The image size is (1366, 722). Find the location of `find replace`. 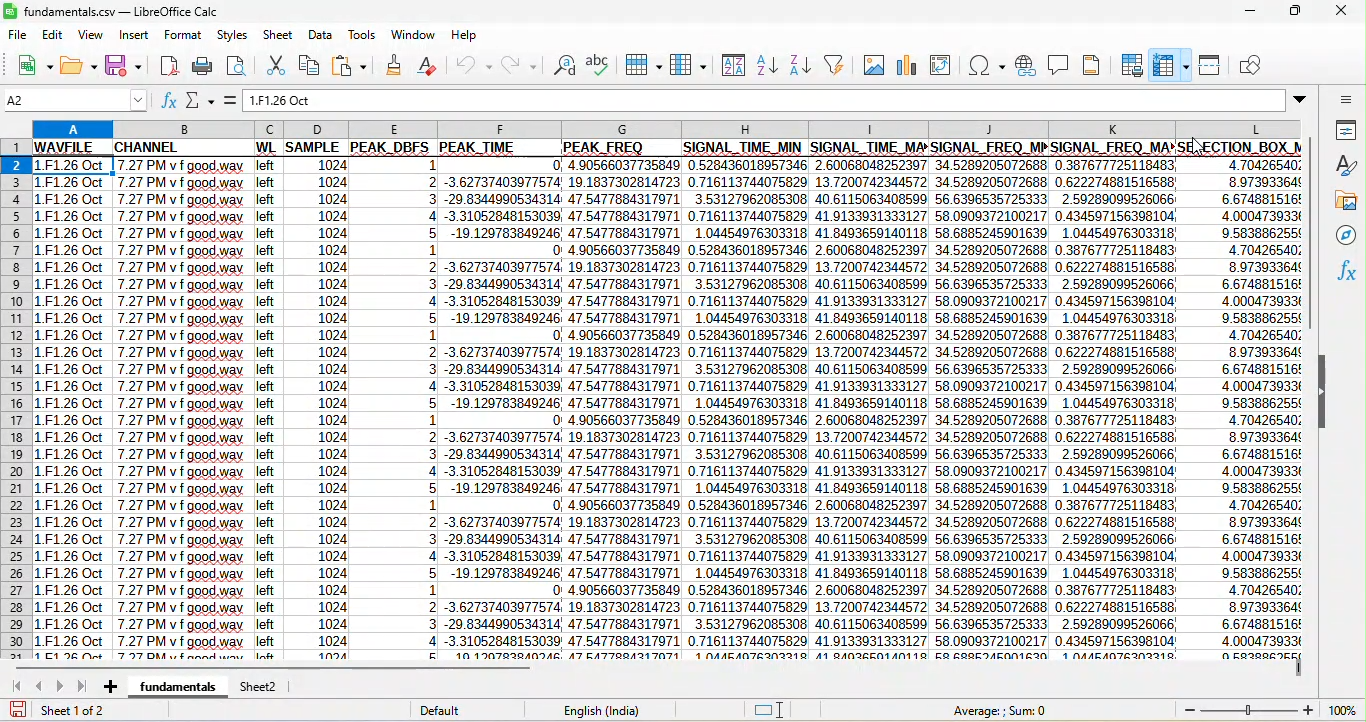

find replace is located at coordinates (566, 65).